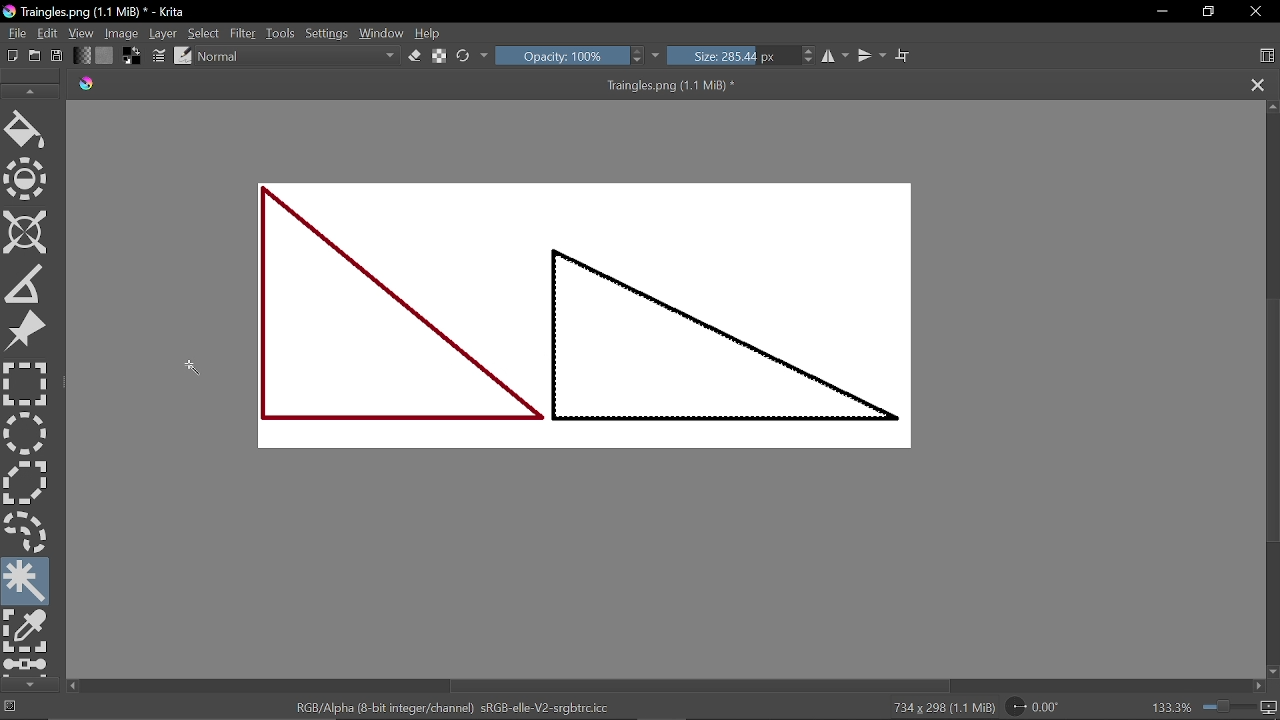  Describe the element at coordinates (672, 85) in the screenshot. I see `Traingles.png (960.0 KiB) *` at that location.